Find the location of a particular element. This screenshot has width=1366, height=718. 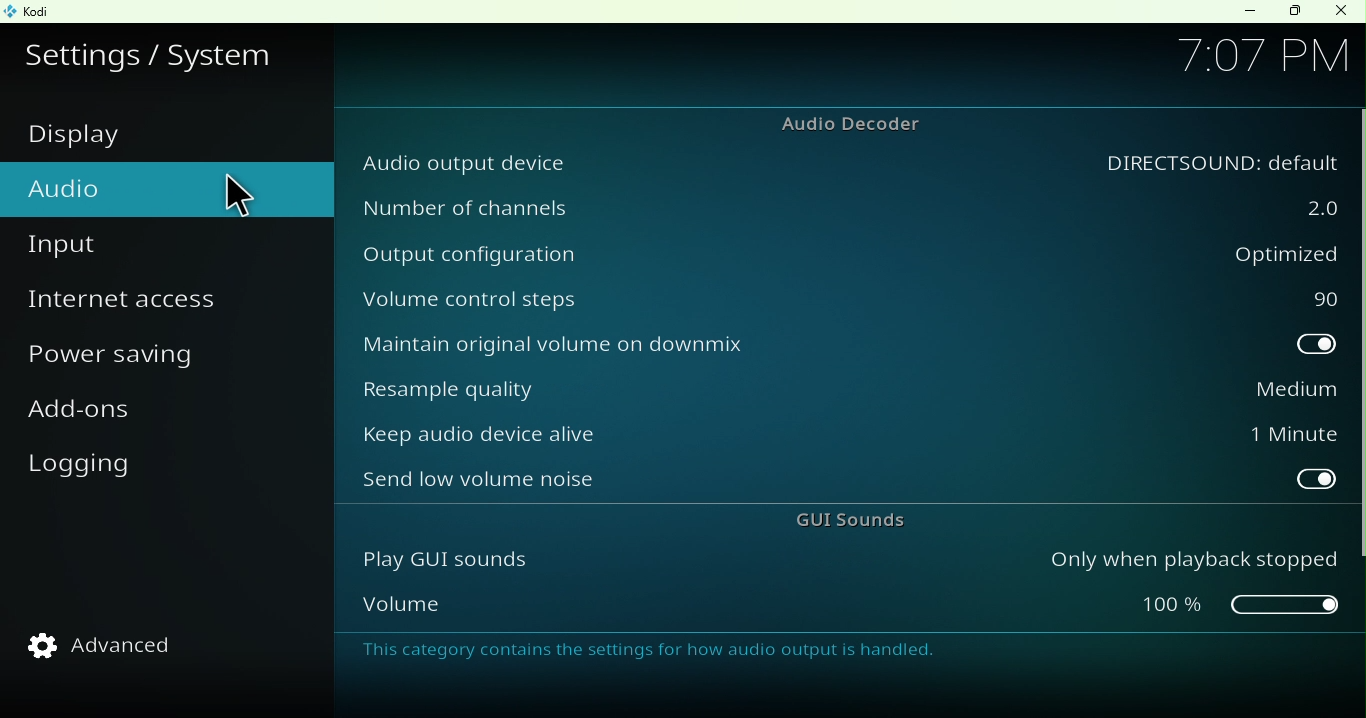

This category contains the settings for how audio output is handled. is located at coordinates (651, 655).